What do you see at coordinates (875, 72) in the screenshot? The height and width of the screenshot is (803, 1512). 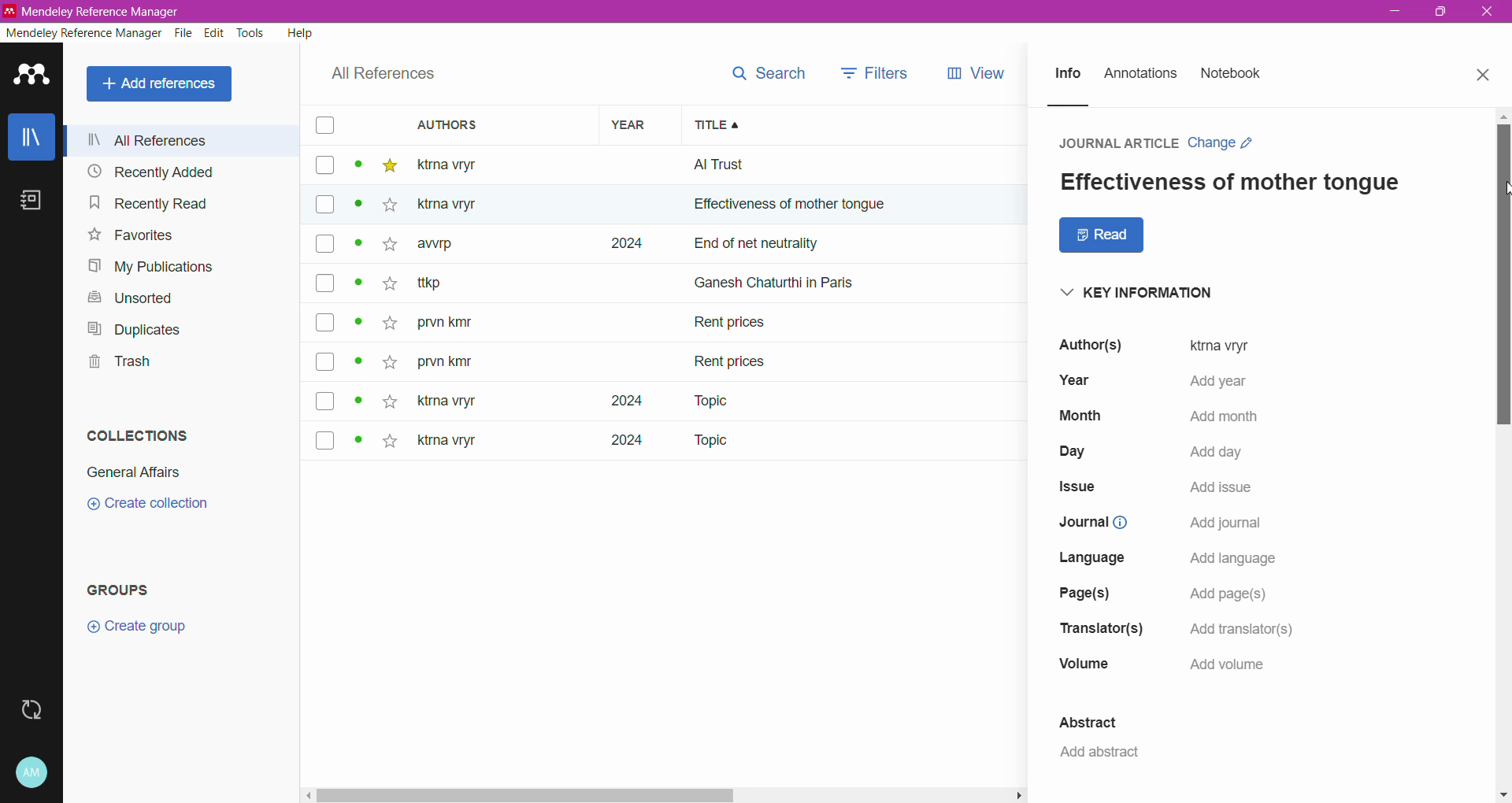 I see `filters ` at bounding box center [875, 72].